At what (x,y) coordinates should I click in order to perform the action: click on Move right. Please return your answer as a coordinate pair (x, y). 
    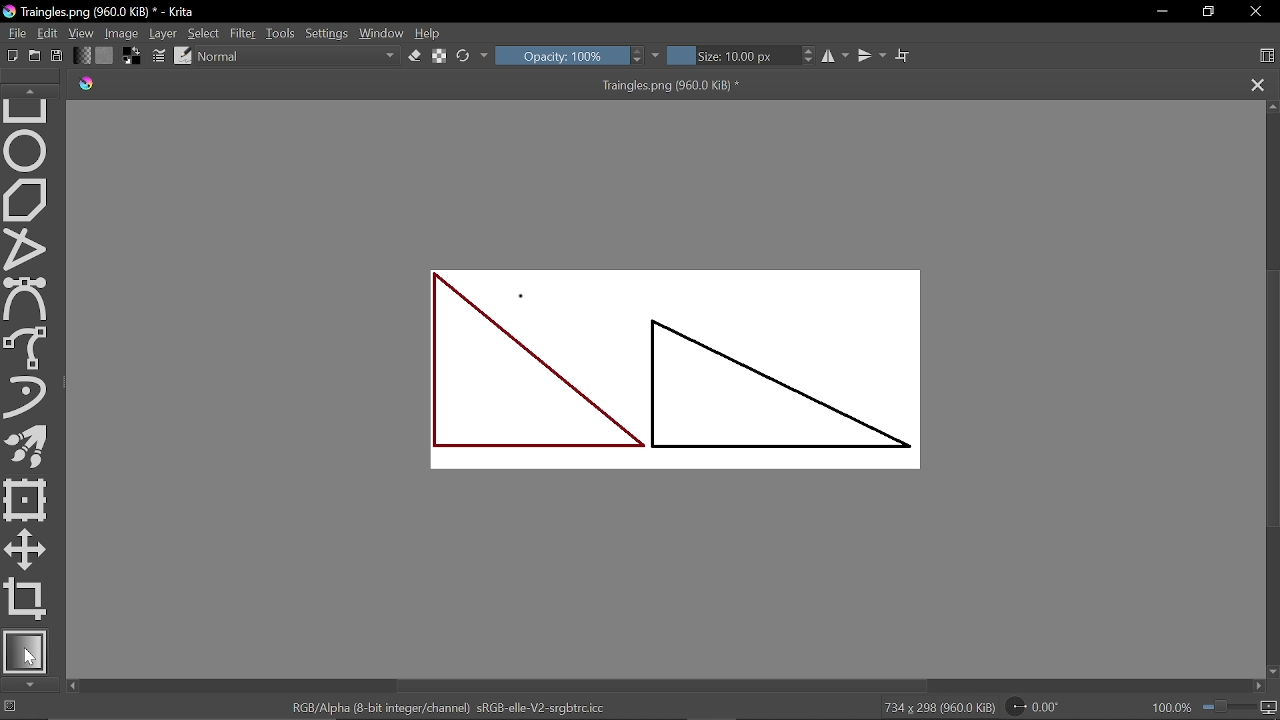
    Looking at the image, I should click on (1259, 685).